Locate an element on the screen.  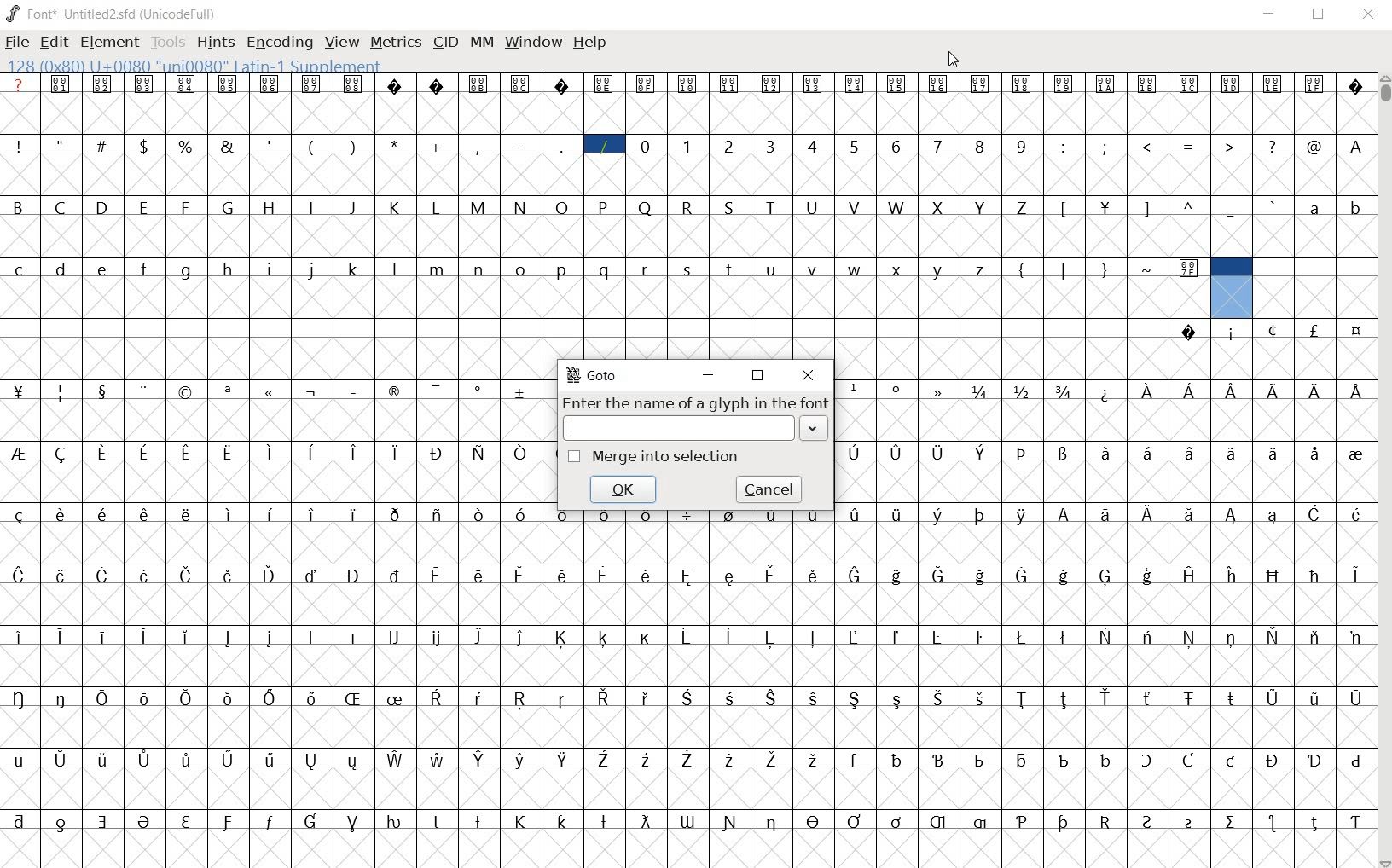
Symbol is located at coordinates (1315, 389).